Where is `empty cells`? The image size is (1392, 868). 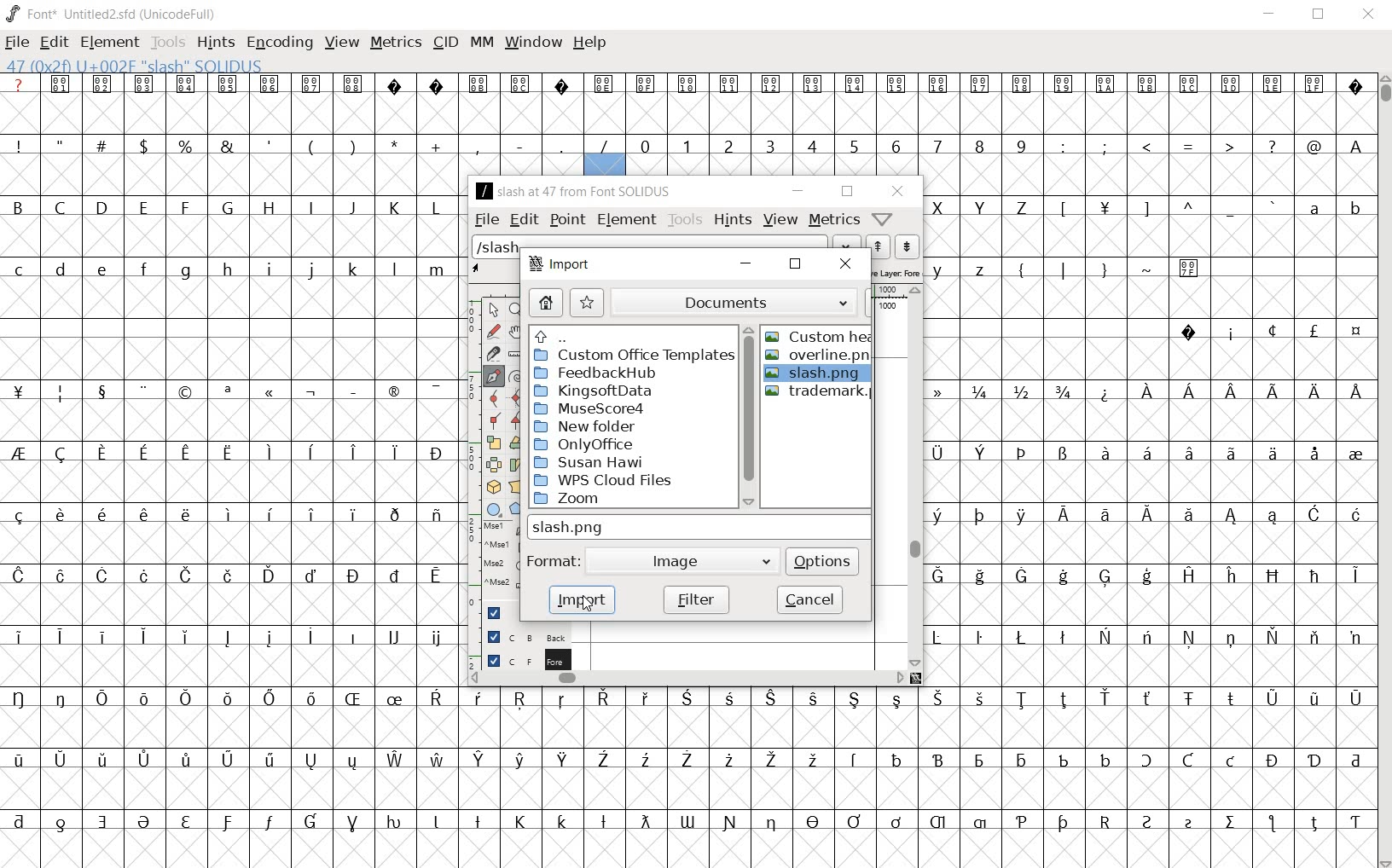
empty cells is located at coordinates (1148, 542).